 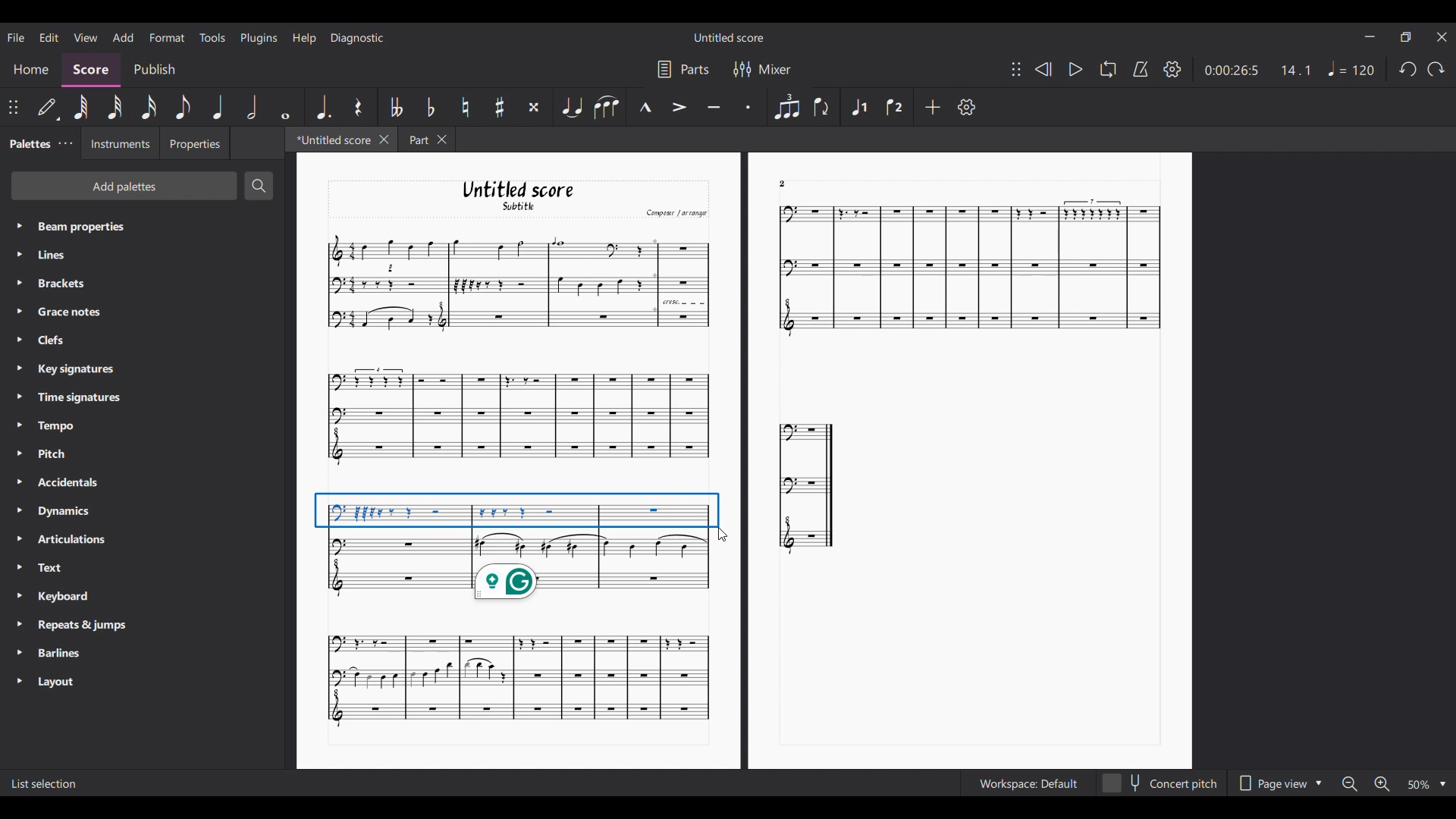 What do you see at coordinates (1436, 69) in the screenshot?
I see `Redo` at bounding box center [1436, 69].